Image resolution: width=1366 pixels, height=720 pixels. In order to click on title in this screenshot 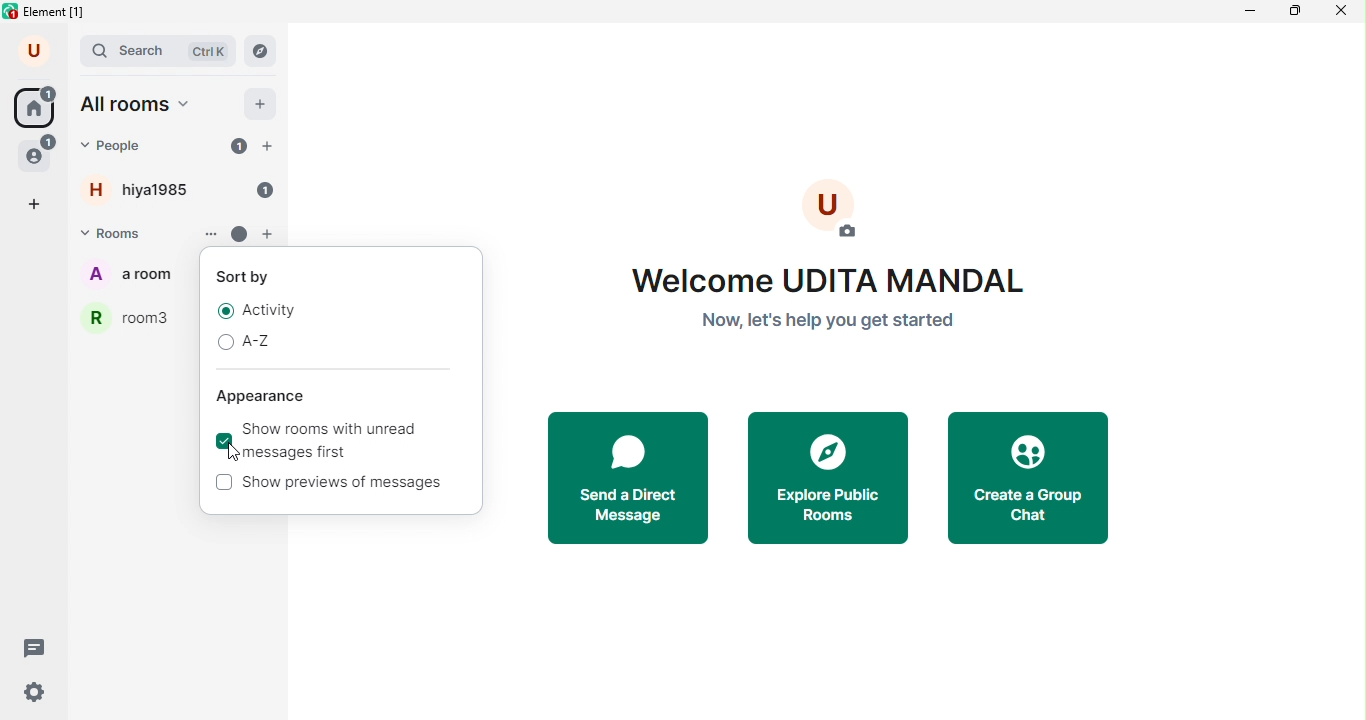, I will do `click(52, 12)`.